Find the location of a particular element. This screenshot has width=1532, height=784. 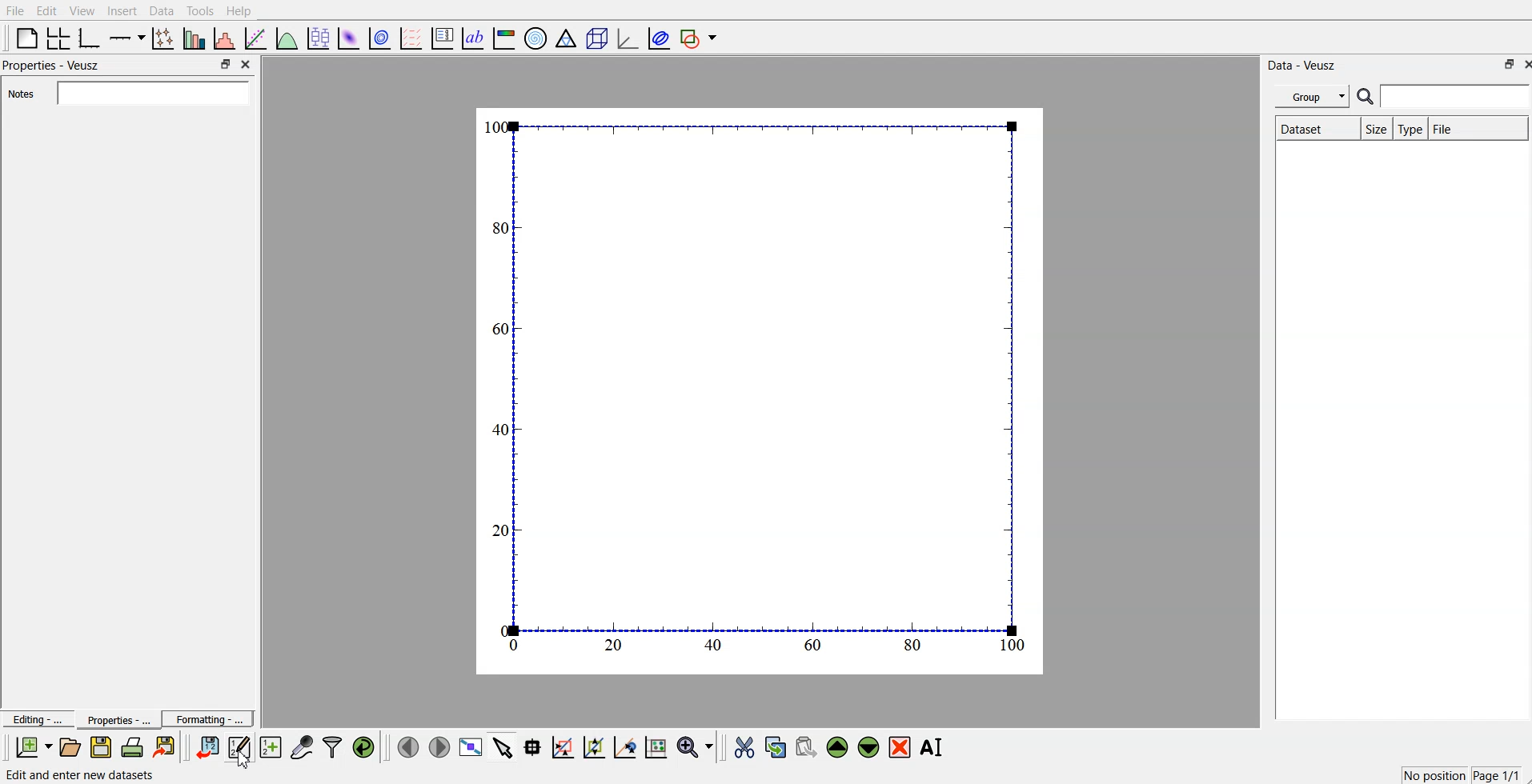

Open is located at coordinates (70, 746).